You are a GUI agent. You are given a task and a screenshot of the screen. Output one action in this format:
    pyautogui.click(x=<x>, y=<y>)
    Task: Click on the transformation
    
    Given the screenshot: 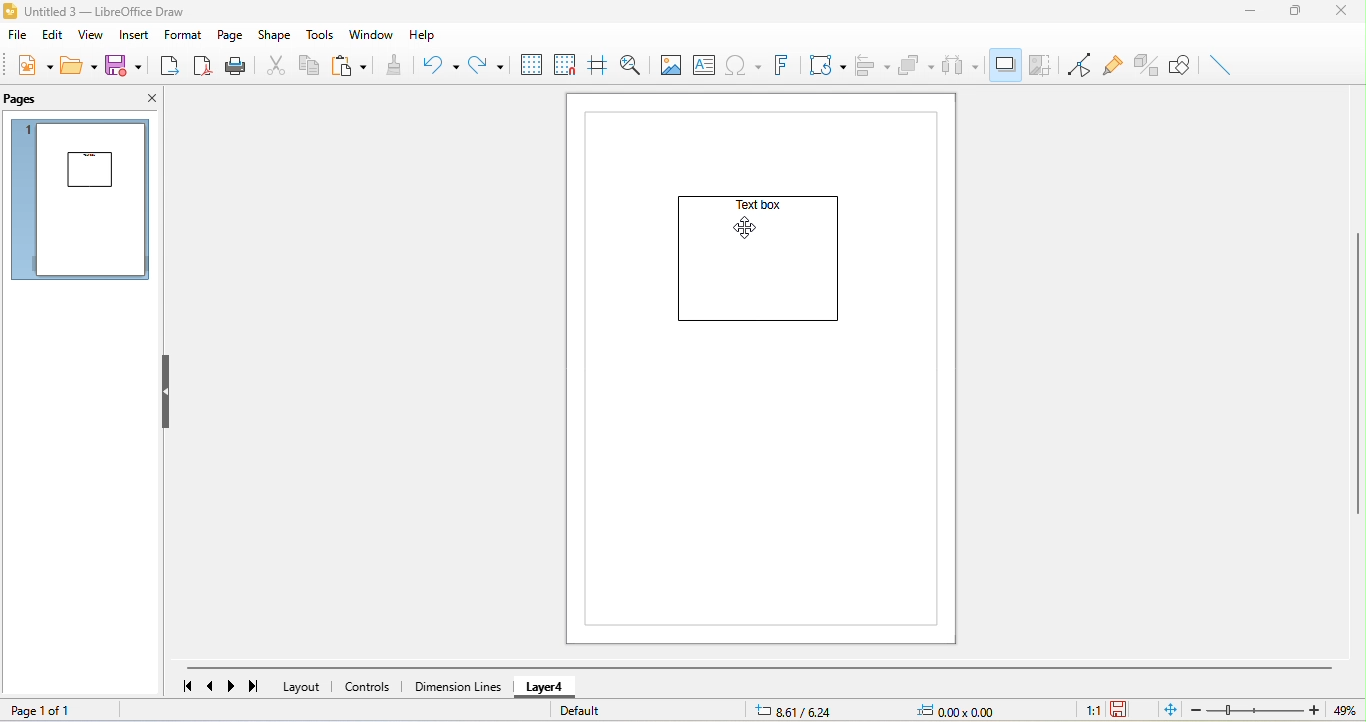 What is the action you would take?
    pyautogui.click(x=827, y=64)
    